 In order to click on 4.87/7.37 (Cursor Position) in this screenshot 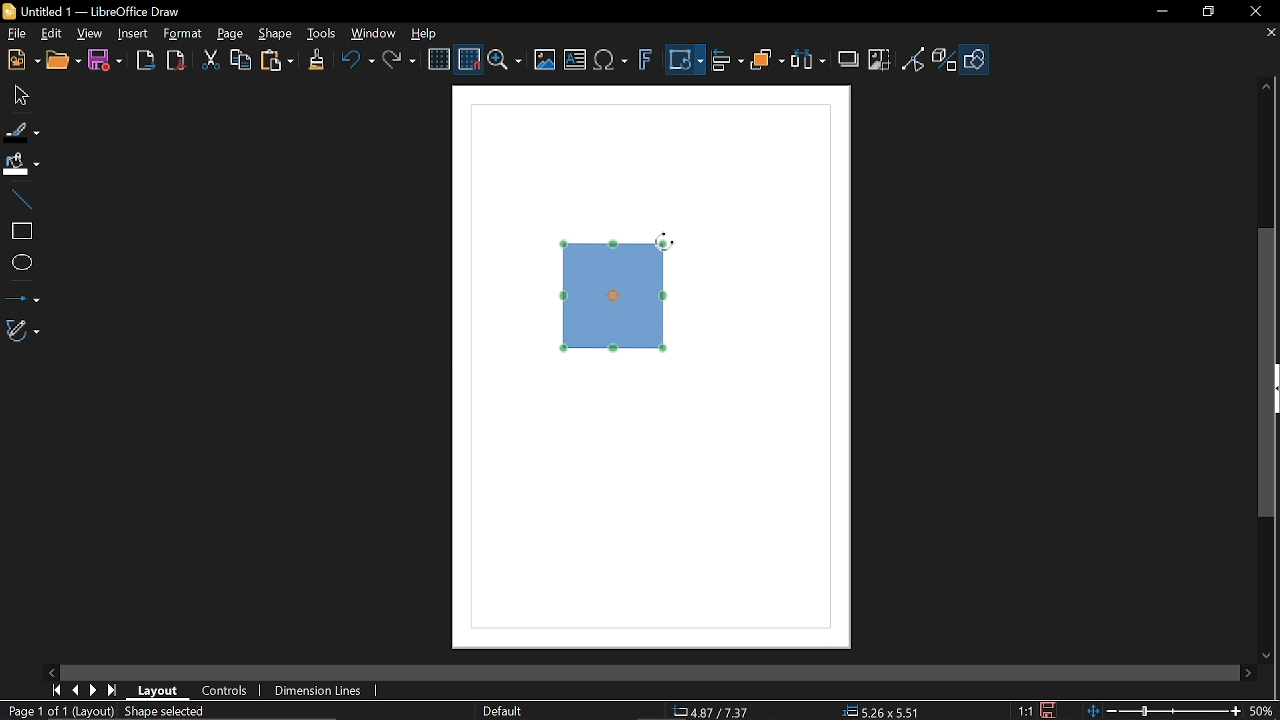, I will do `click(710, 710)`.